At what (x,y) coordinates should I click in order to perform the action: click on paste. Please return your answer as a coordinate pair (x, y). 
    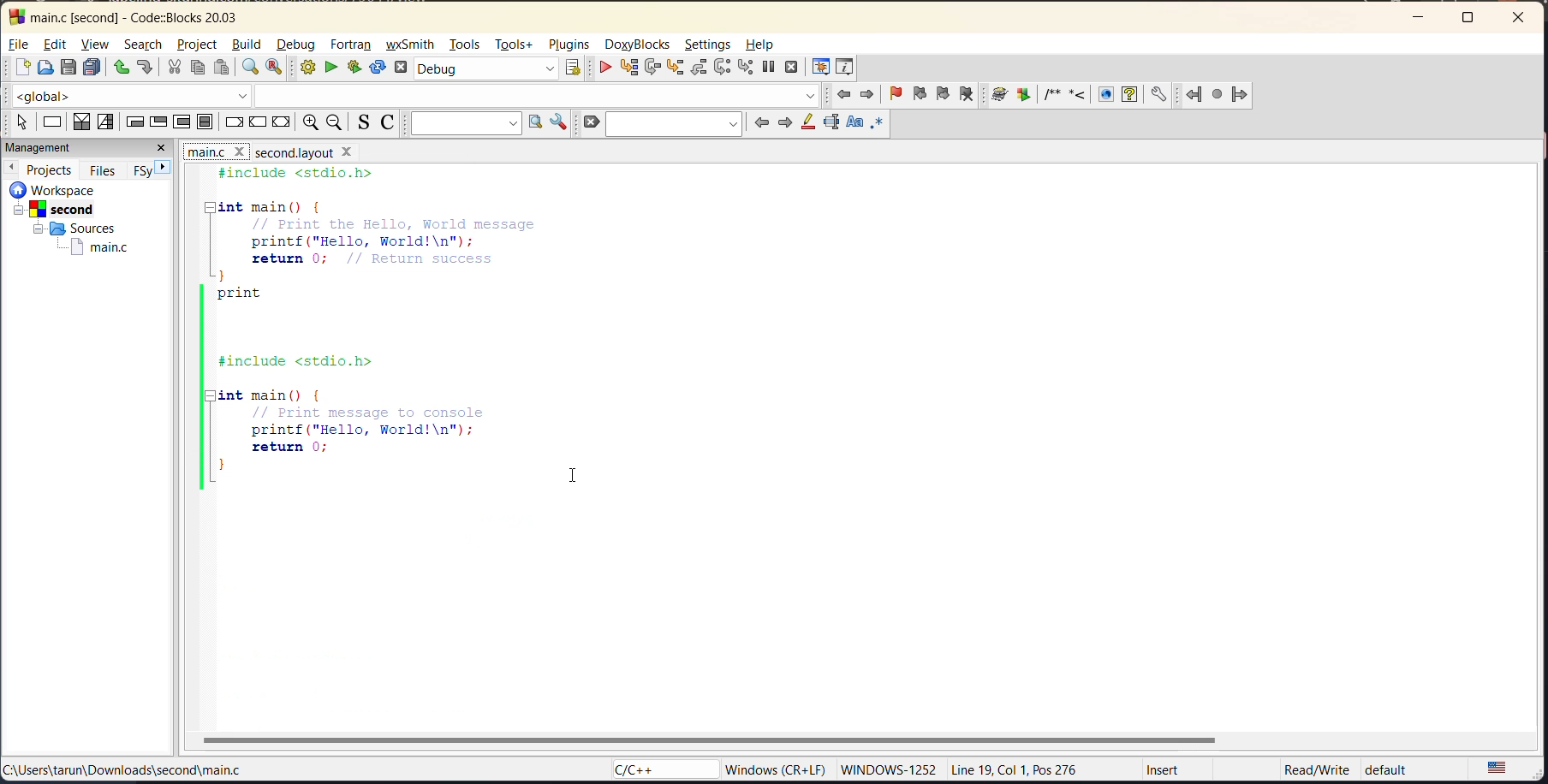
    Looking at the image, I should click on (222, 68).